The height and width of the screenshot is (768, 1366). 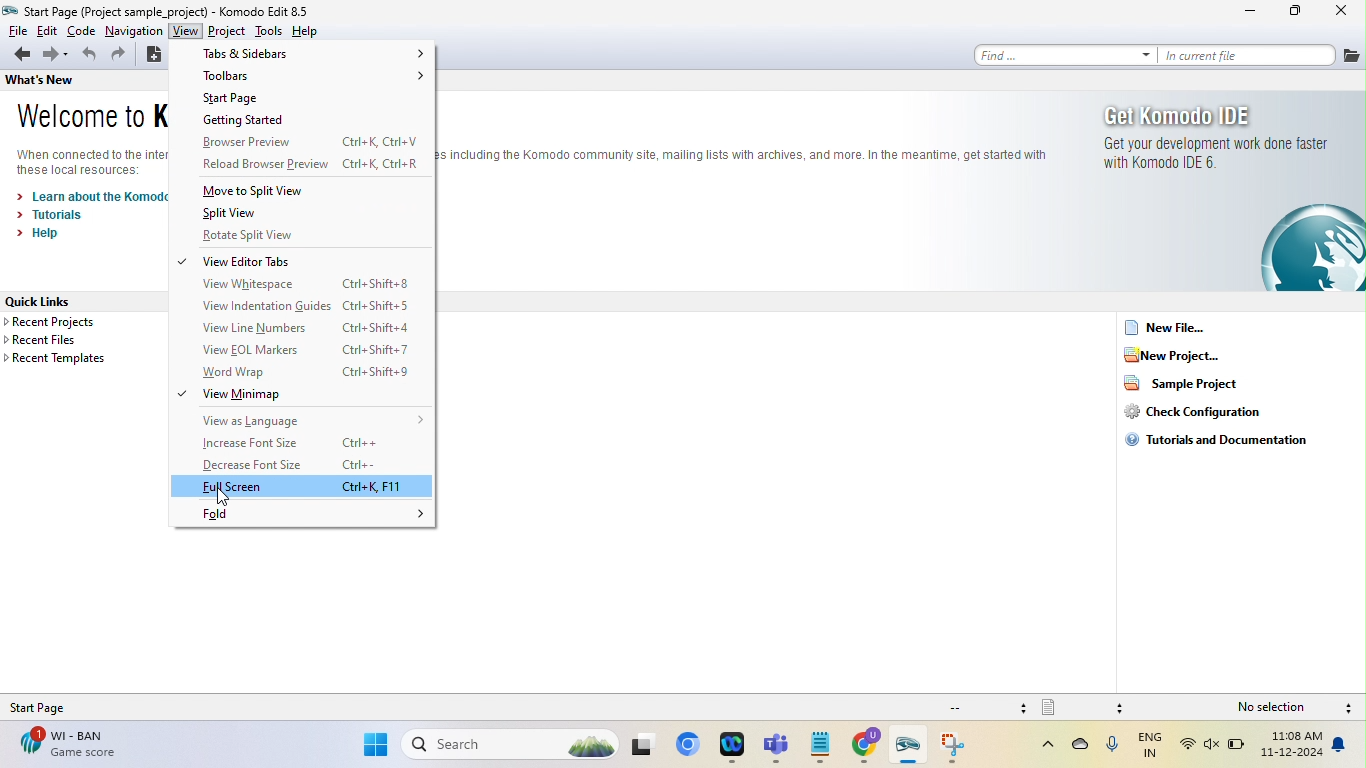 What do you see at coordinates (305, 351) in the screenshot?
I see `view  eol markers` at bounding box center [305, 351].